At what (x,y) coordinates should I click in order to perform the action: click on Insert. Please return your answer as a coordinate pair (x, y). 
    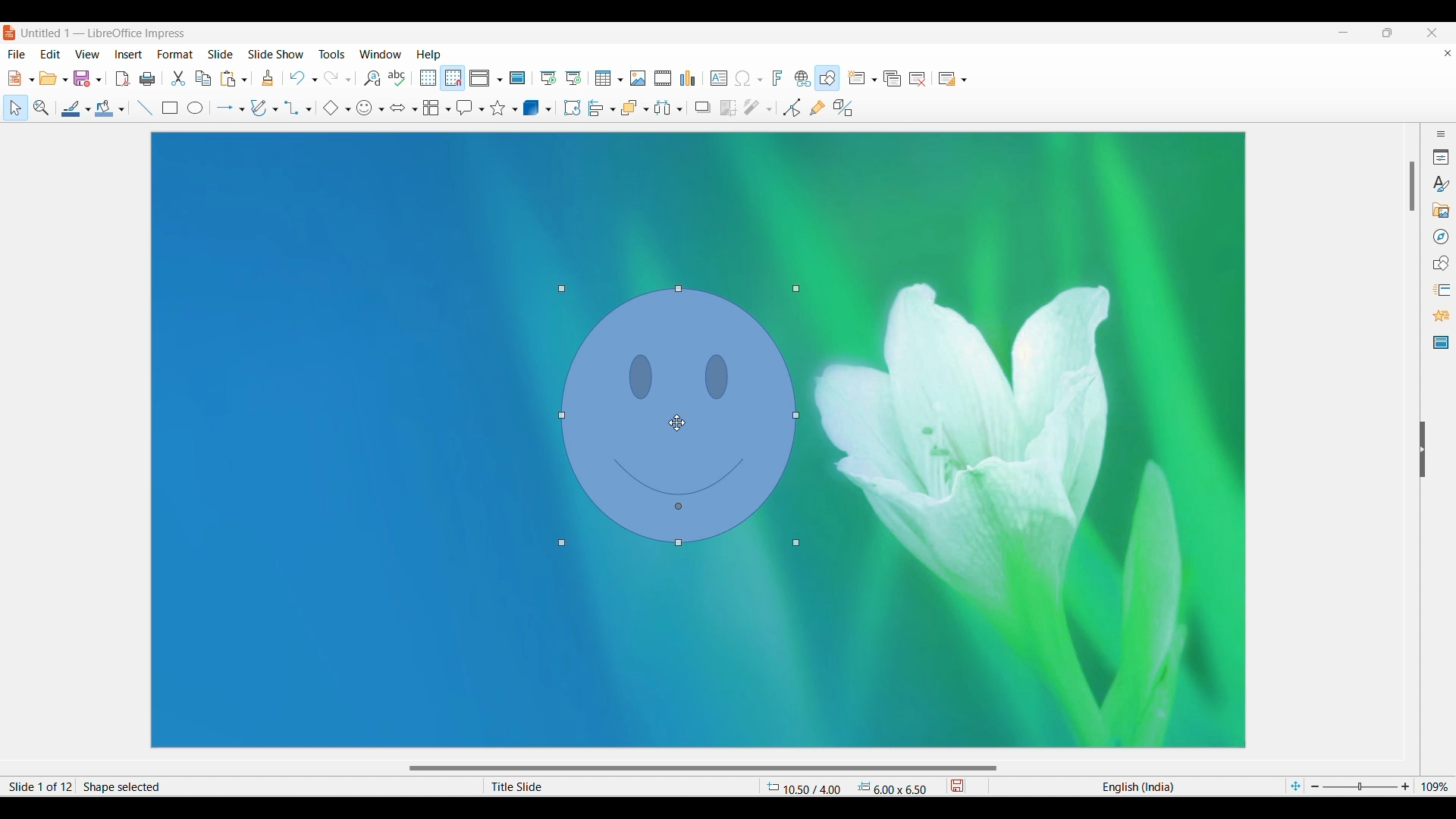
    Looking at the image, I should click on (129, 55).